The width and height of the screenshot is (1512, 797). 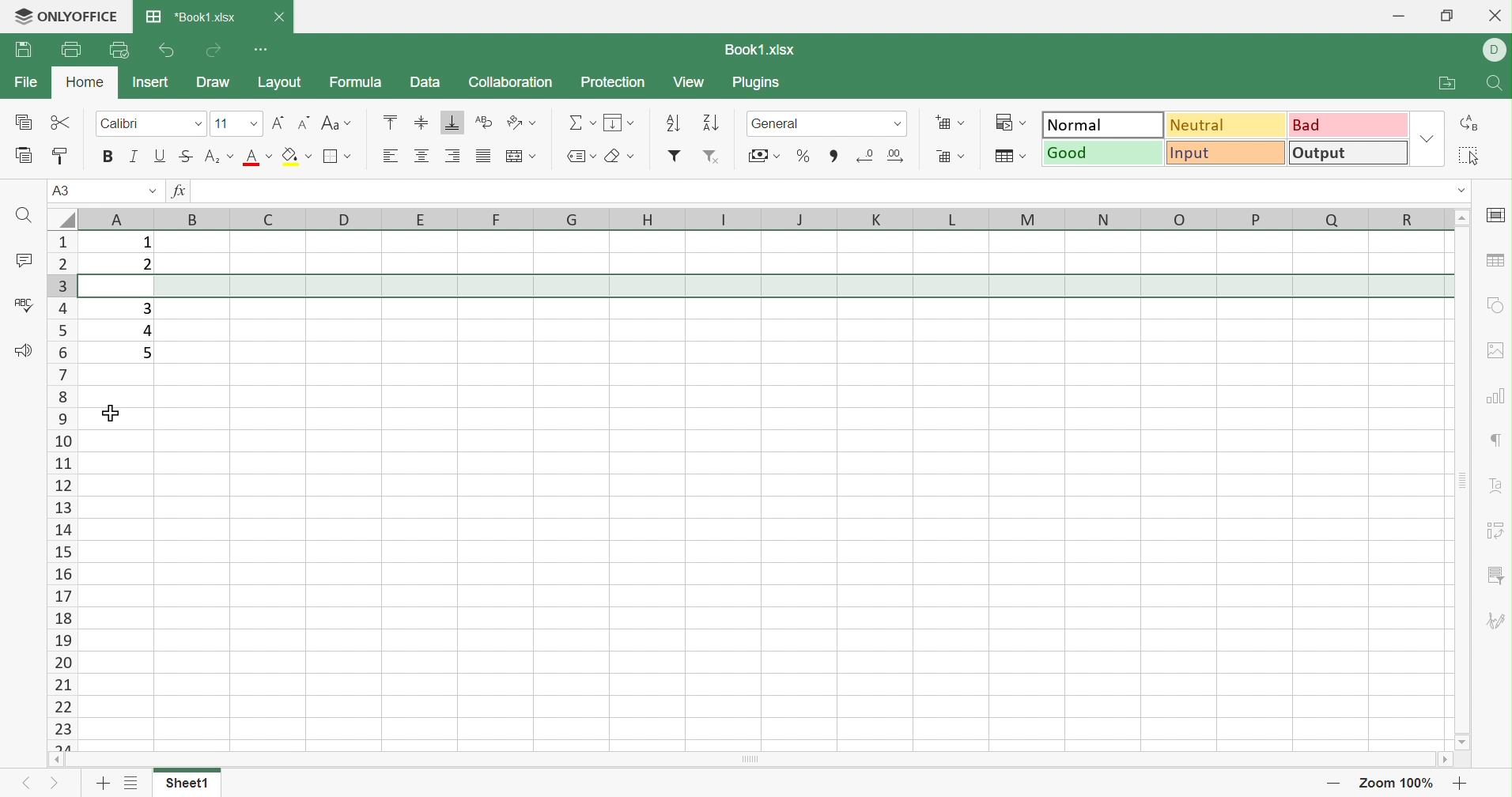 What do you see at coordinates (1026, 123) in the screenshot?
I see `Drop Down` at bounding box center [1026, 123].